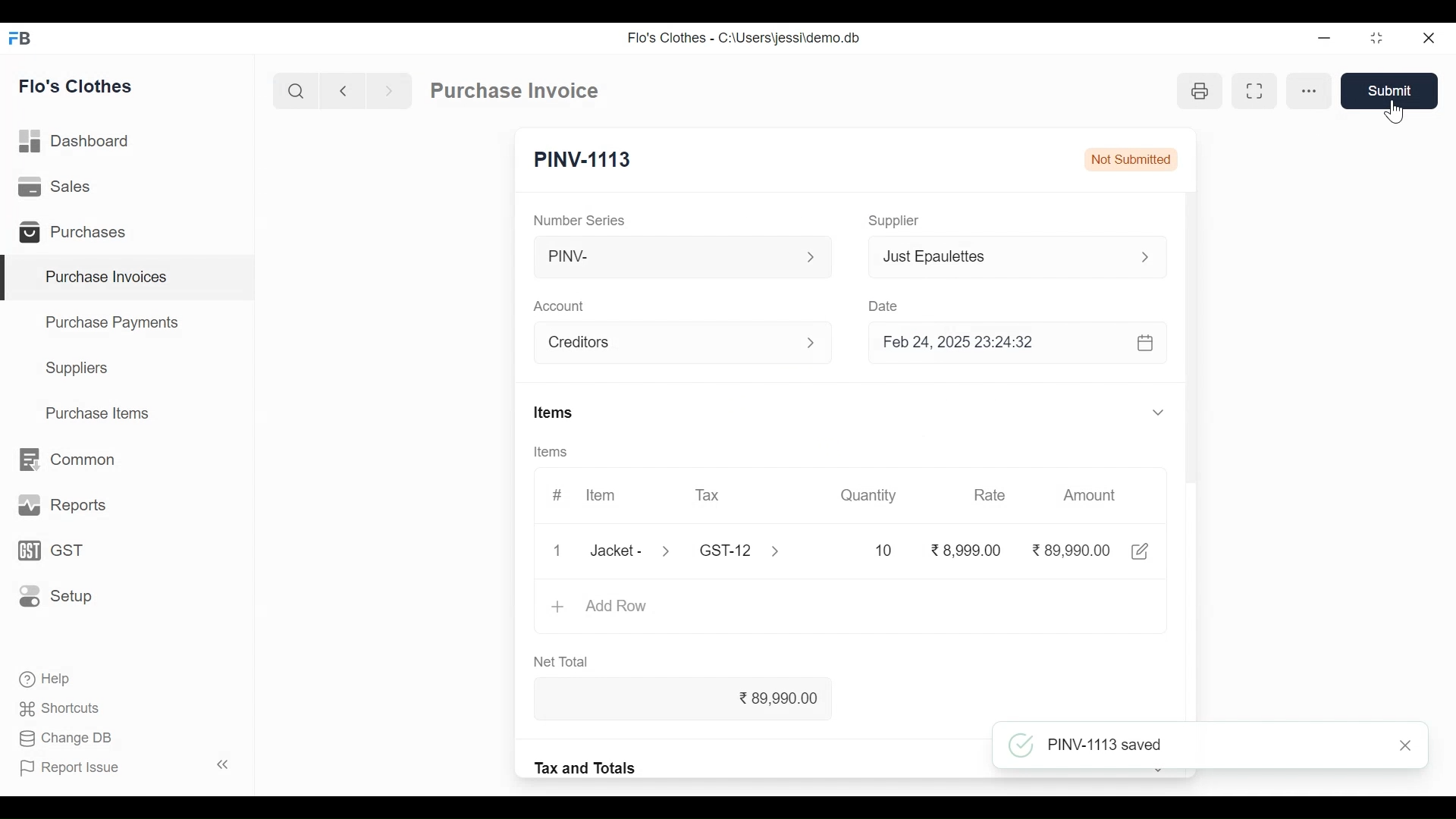 The image size is (1456, 819). What do you see at coordinates (60, 710) in the screenshot?
I see `Shortcuts` at bounding box center [60, 710].